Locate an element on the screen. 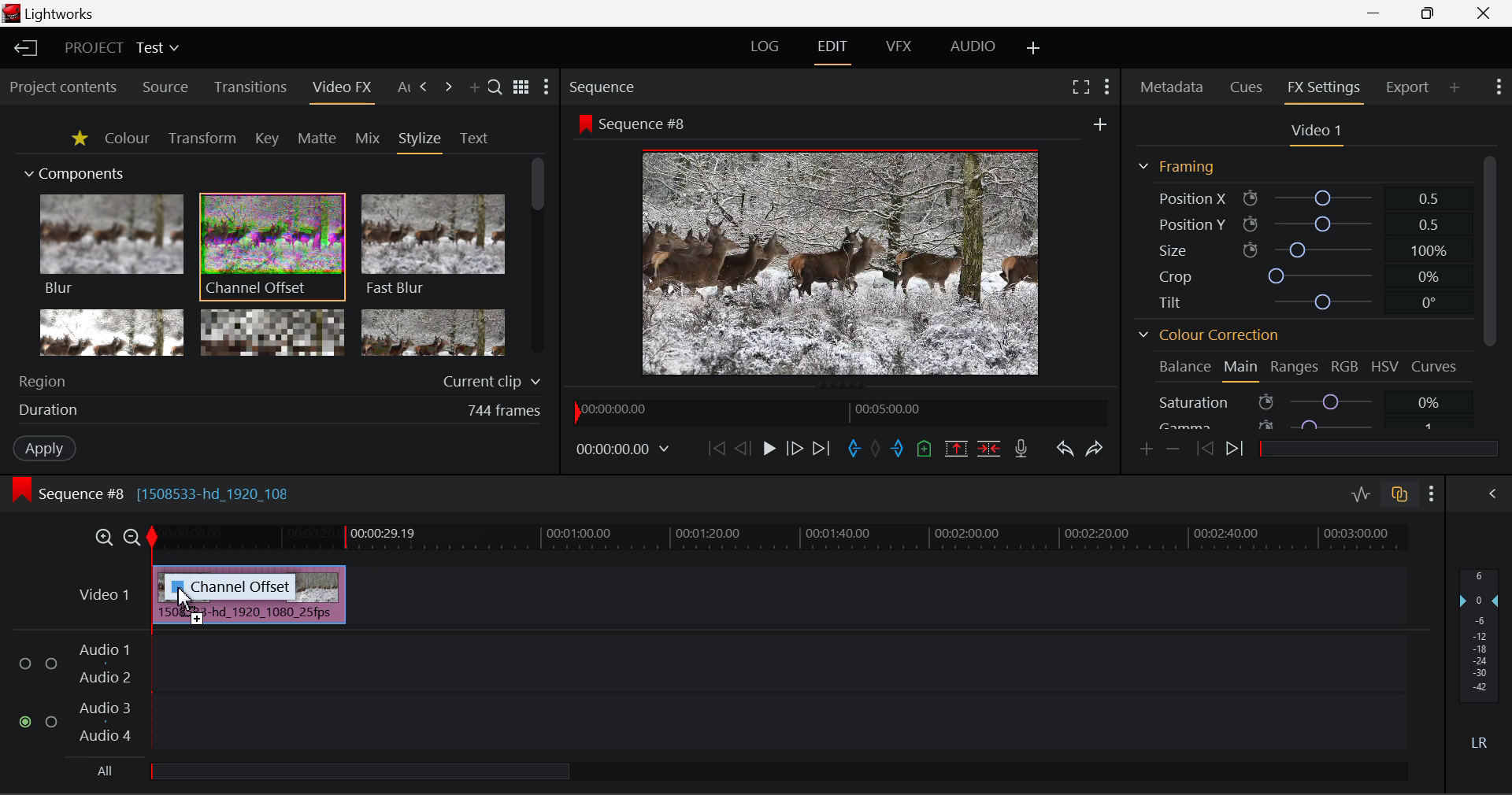 Image resolution: width=1512 pixels, height=795 pixels. Remove keyframe is located at coordinates (1173, 453).